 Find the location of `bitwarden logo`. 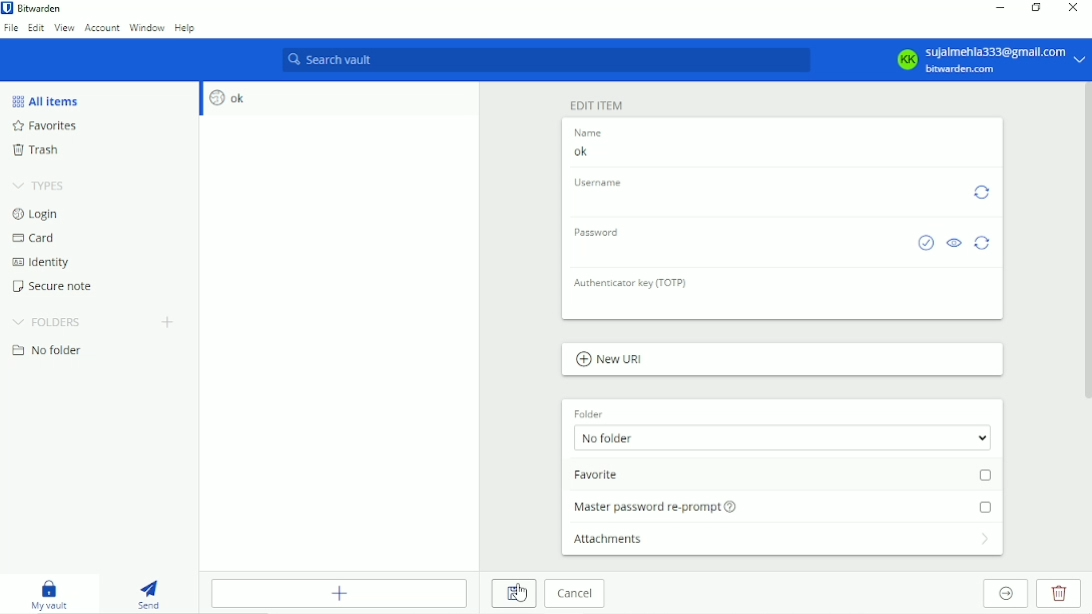

bitwarden logo is located at coordinates (7, 8).